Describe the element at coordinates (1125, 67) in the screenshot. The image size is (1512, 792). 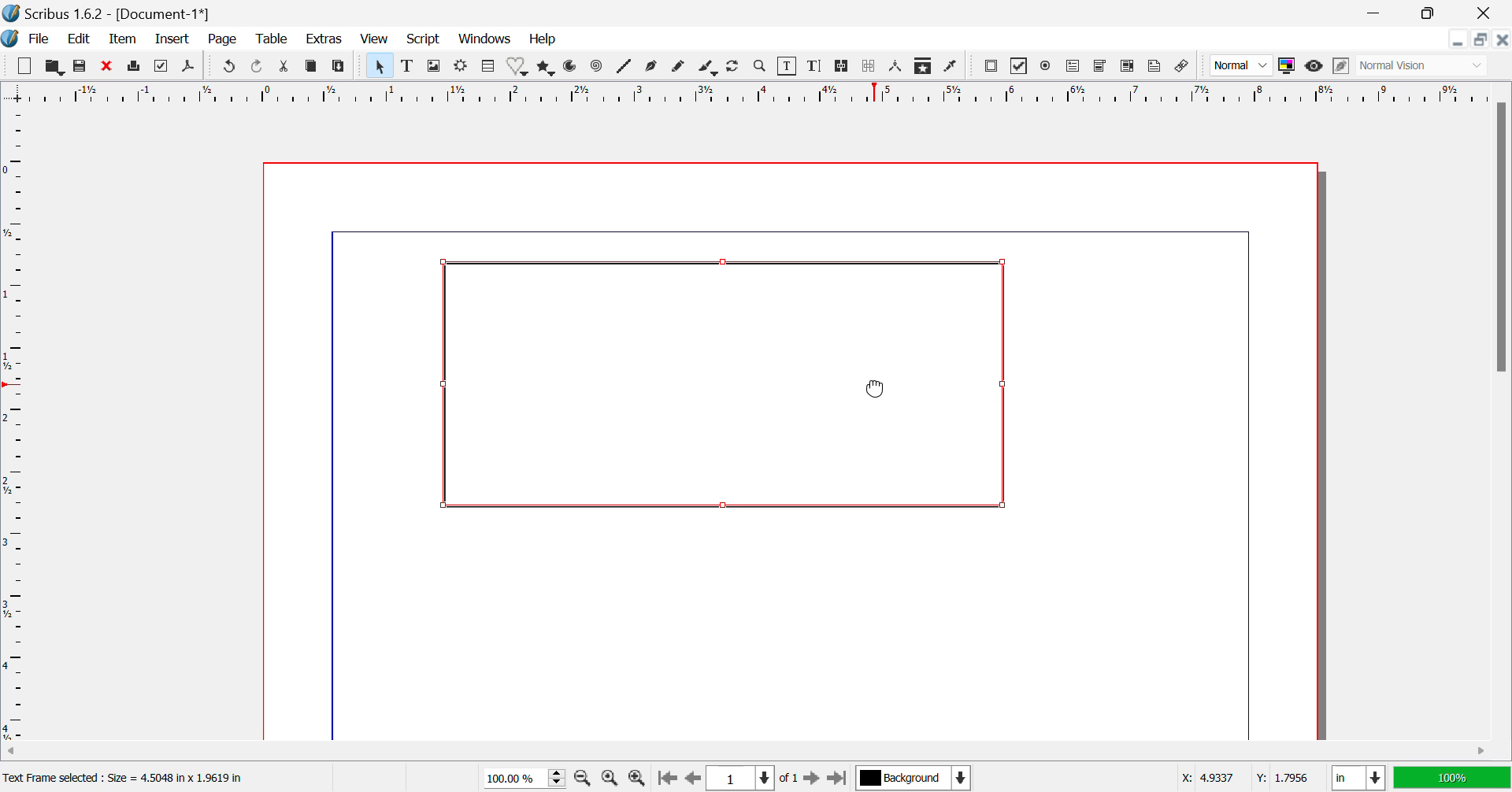
I see `Pdf List box` at that location.